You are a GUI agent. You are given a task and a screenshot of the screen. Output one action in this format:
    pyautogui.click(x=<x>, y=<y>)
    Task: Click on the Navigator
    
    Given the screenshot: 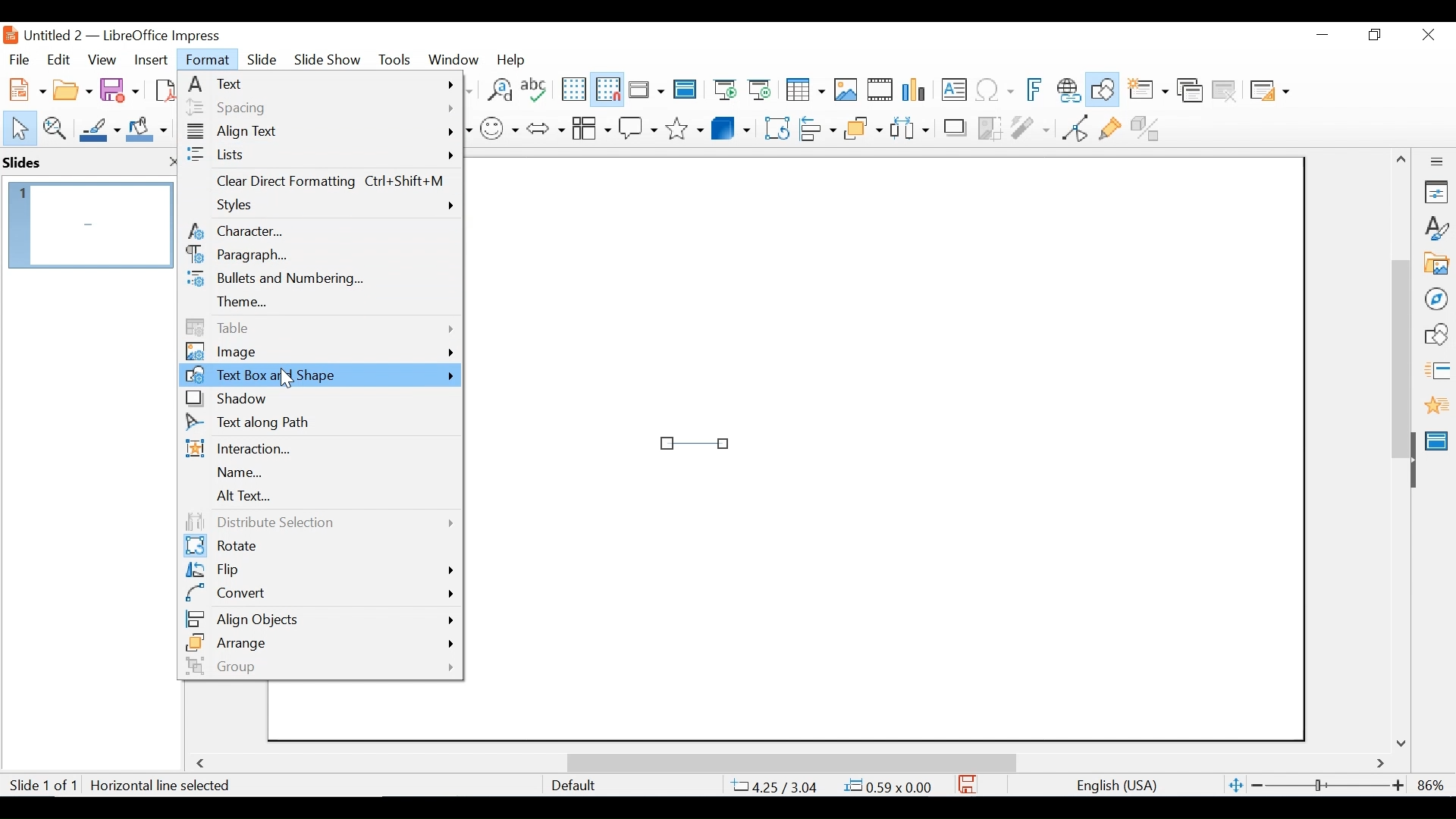 What is the action you would take?
    pyautogui.click(x=1436, y=298)
    